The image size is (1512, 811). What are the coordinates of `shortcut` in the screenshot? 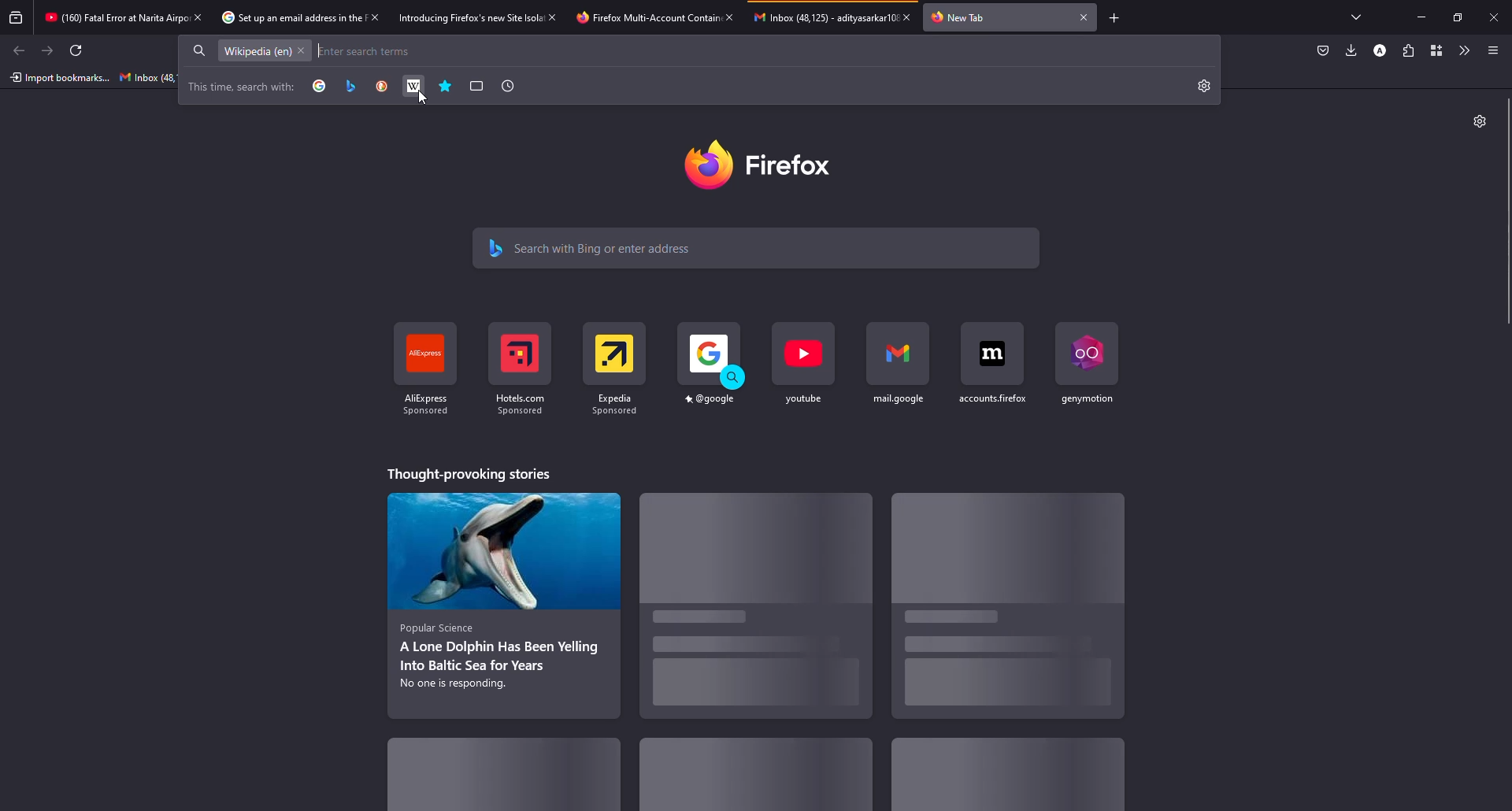 It's located at (617, 374).